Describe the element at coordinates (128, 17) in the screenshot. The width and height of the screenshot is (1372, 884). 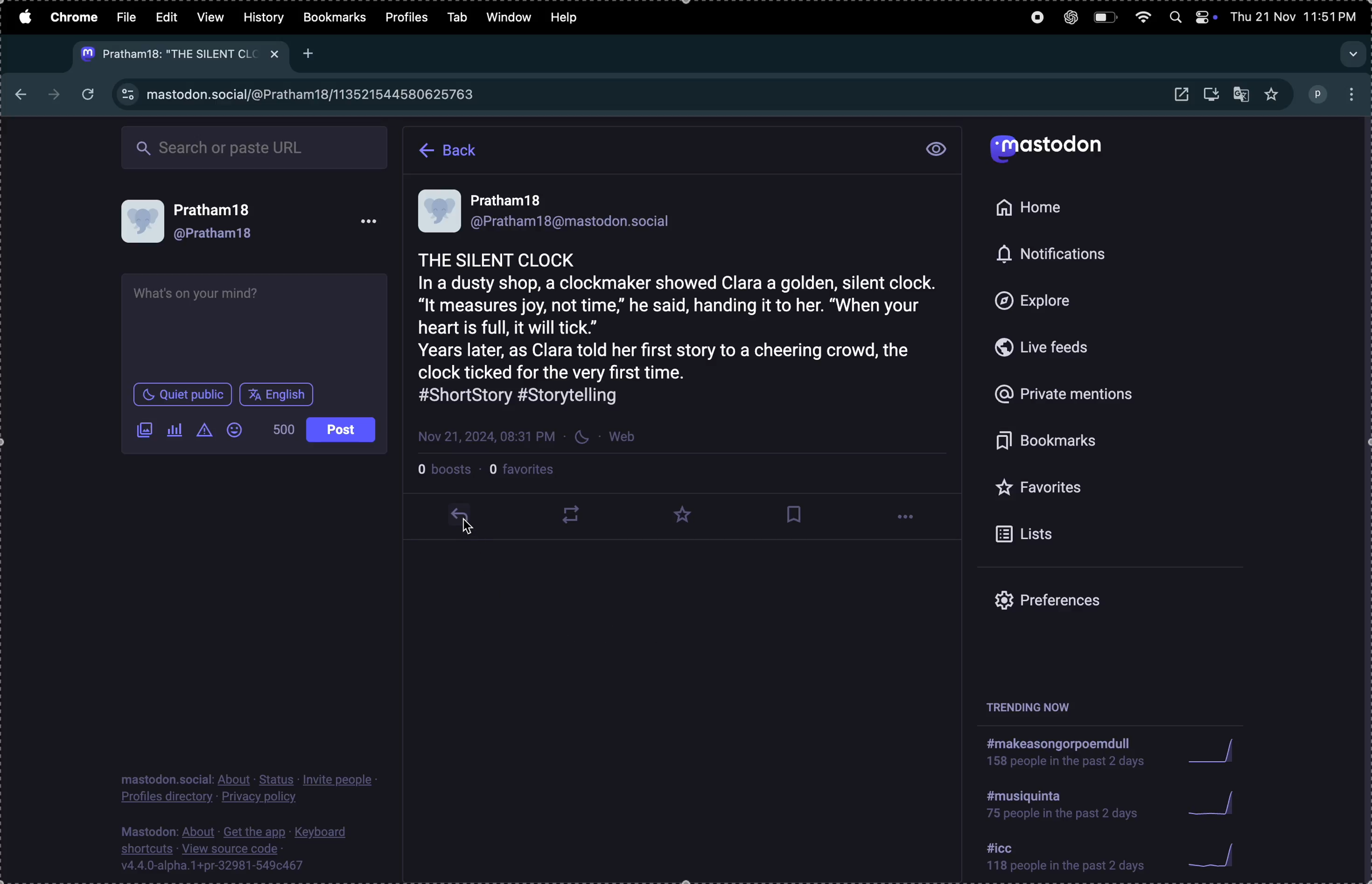
I see `file` at that location.